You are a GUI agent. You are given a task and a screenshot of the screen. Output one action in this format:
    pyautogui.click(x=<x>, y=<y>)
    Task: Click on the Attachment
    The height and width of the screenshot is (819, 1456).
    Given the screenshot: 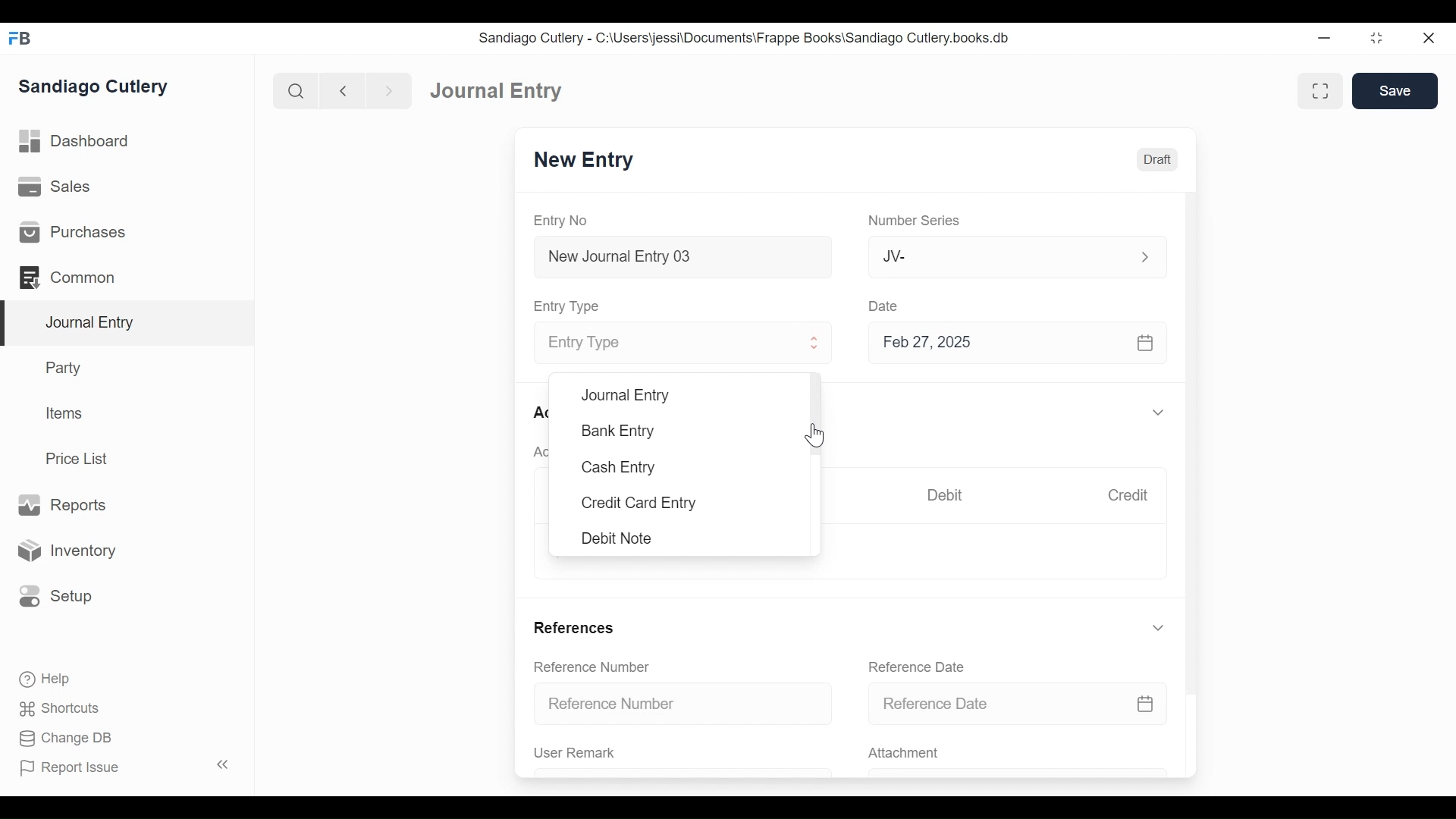 What is the action you would take?
    pyautogui.click(x=903, y=755)
    